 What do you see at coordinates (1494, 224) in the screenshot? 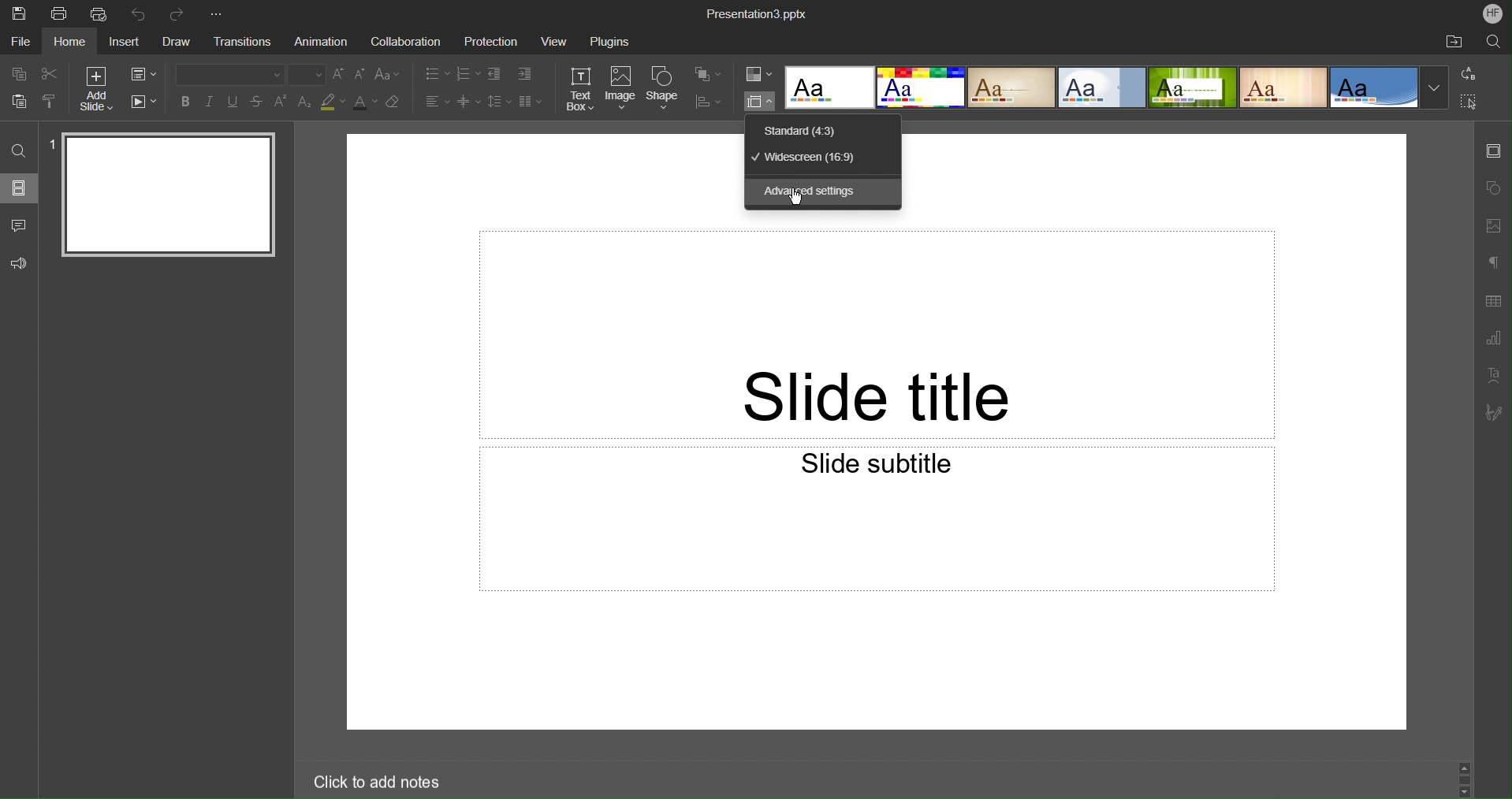
I see `Image Settings` at bounding box center [1494, 224].